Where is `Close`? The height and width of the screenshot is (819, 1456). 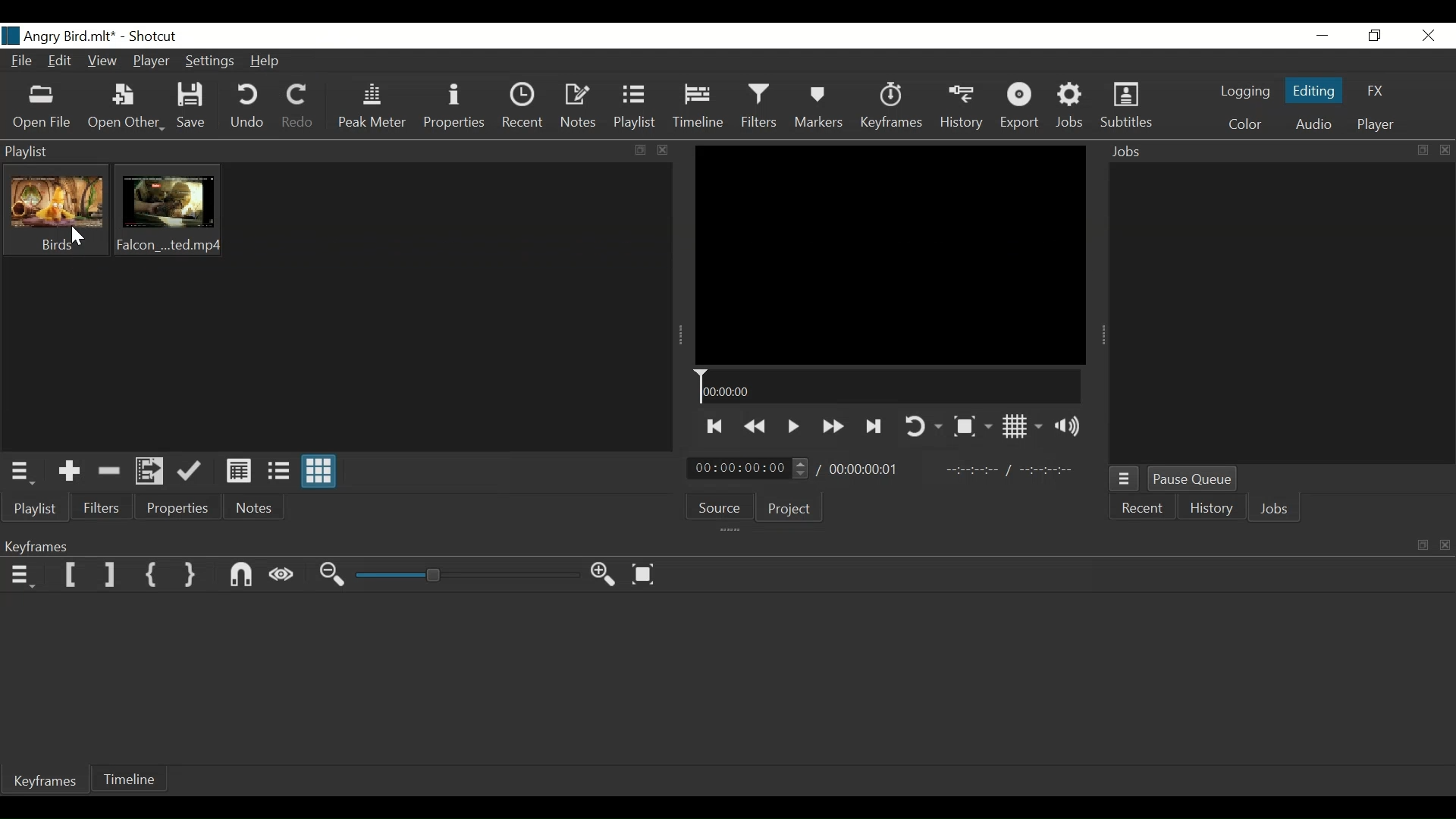 Close is located at coordinates (1426, 35).